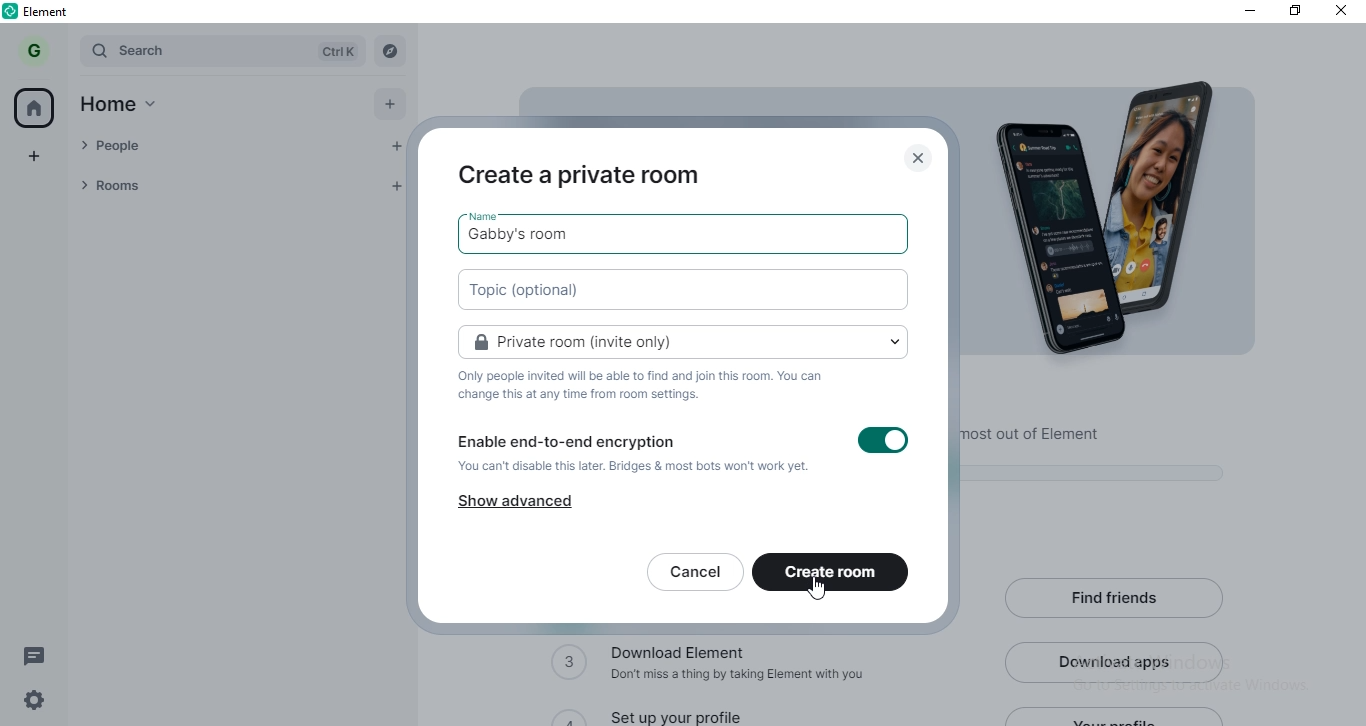  I want to click on set up your profile, so click(688, 713).